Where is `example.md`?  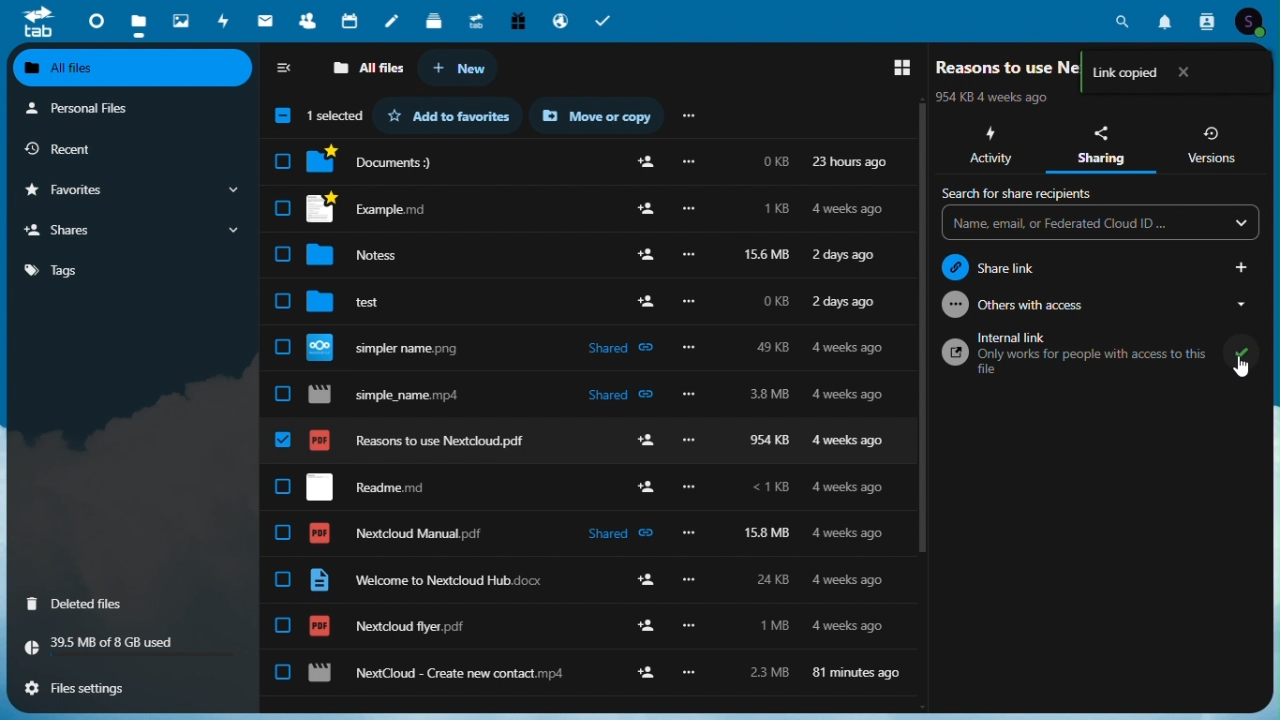 example.md is located at coordinates (382, 209).